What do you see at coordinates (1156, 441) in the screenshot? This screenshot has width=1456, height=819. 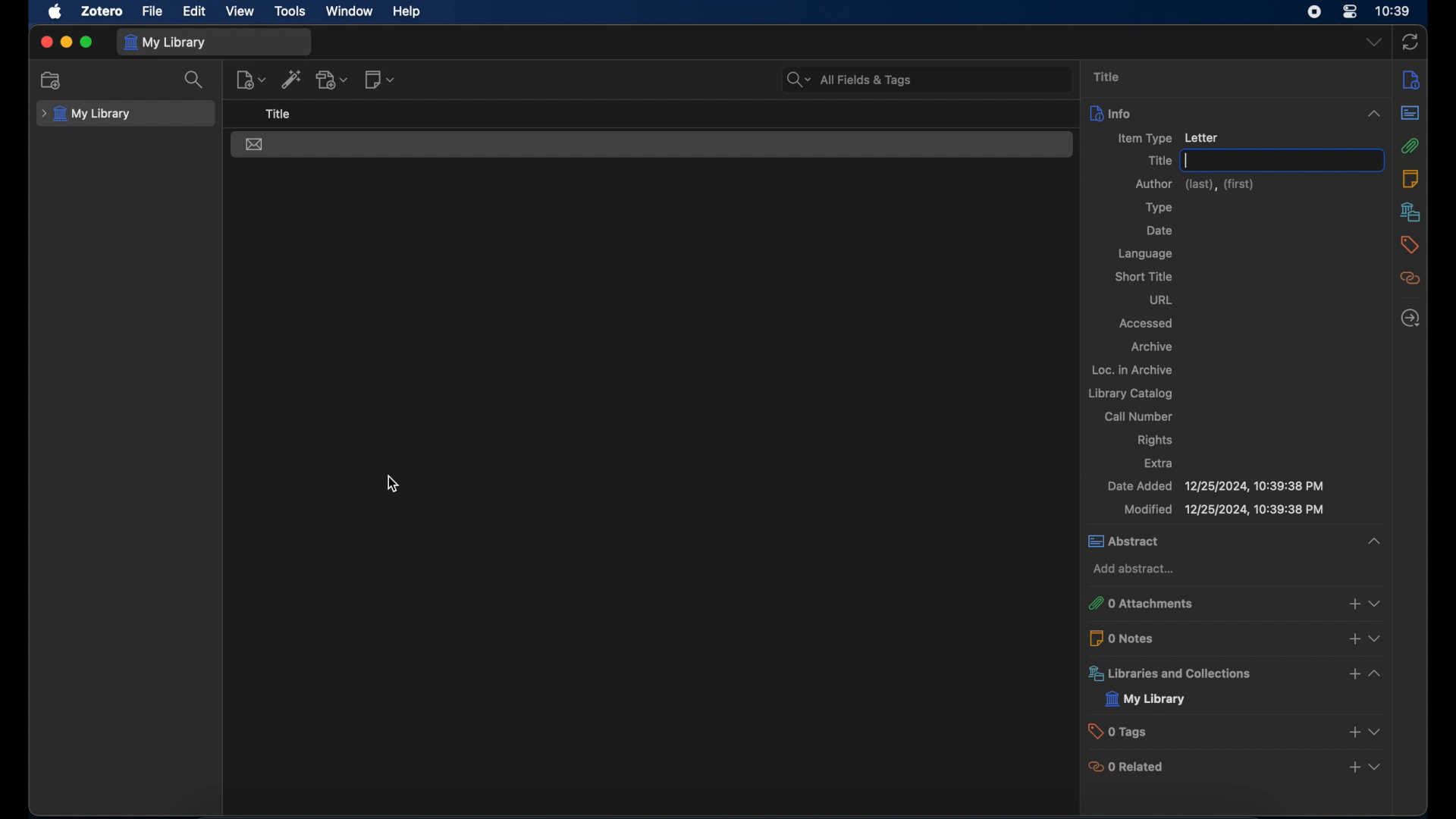 I see `rights` at bounding box center [1156, 441].